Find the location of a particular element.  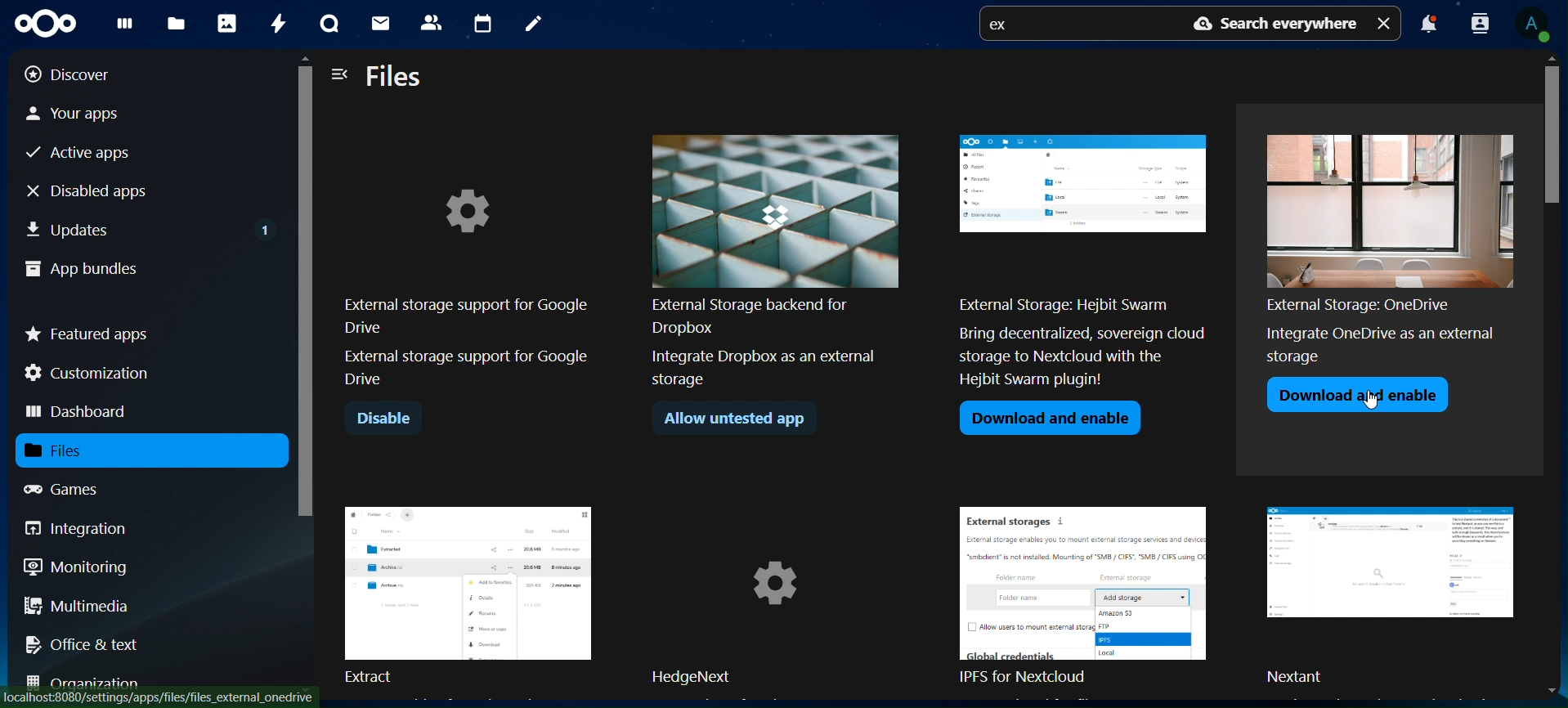

cursor is located at coordinates (1374, 401).